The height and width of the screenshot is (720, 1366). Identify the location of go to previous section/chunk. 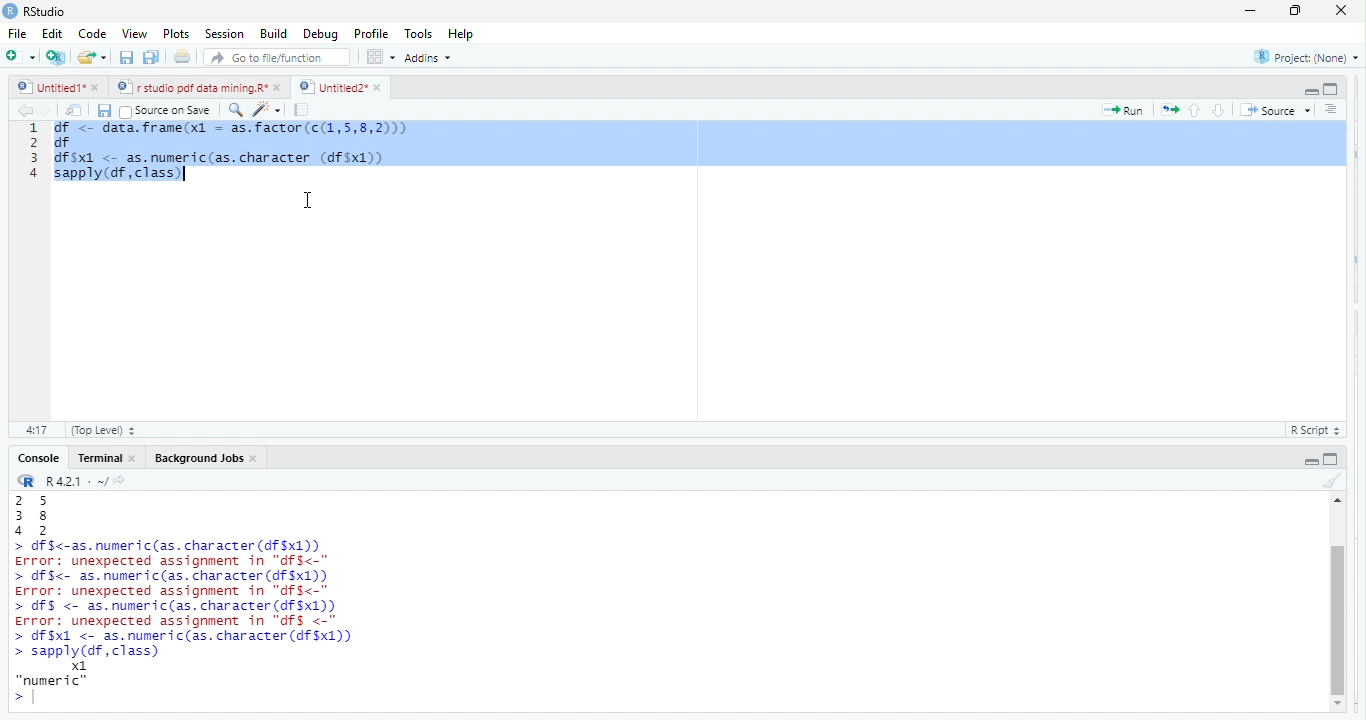
(1196, 109).